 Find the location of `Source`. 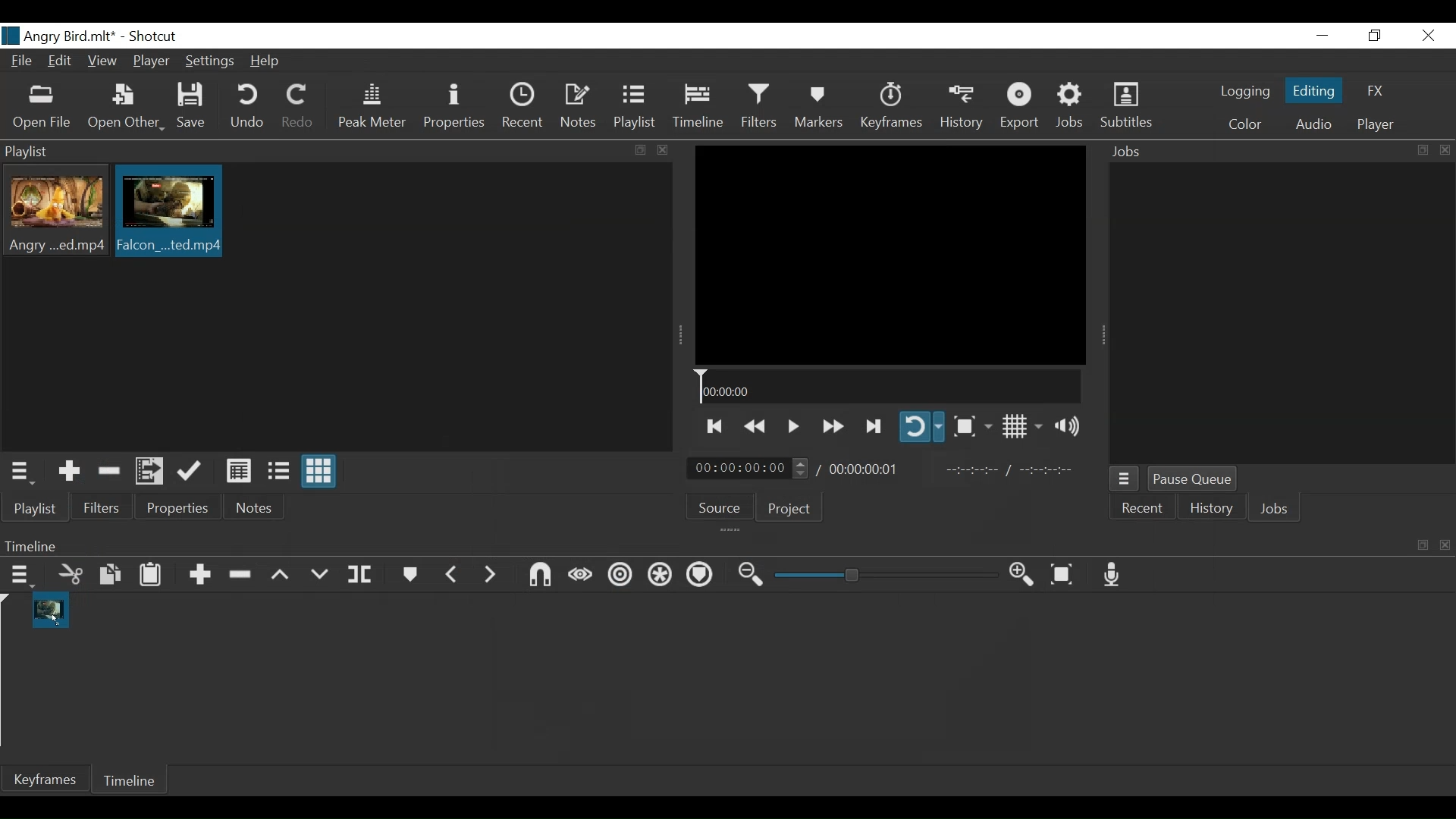

Source is located at coordinates (725, 506).